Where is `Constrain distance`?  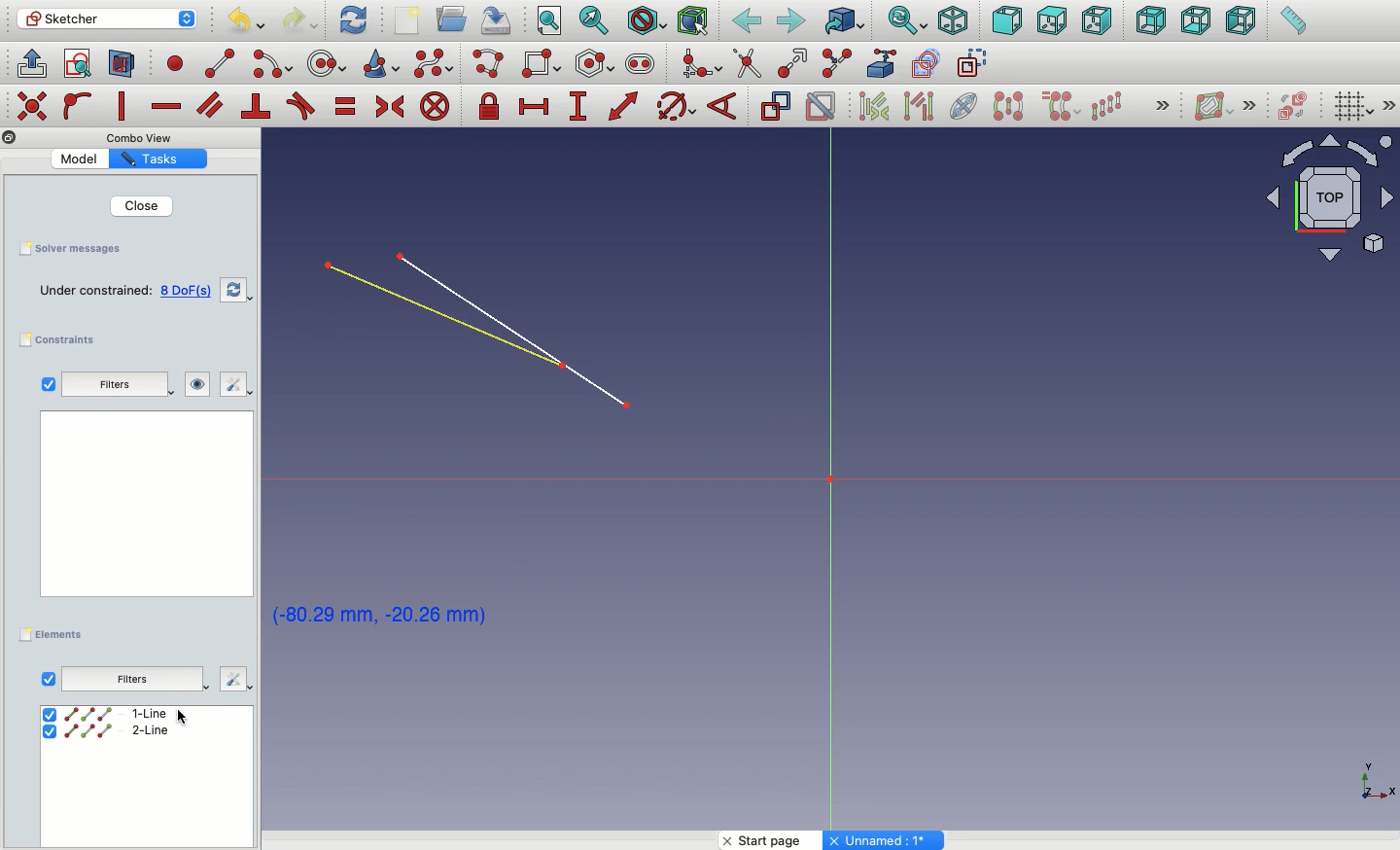 Constrain distance is located at coordinates (624, 106).